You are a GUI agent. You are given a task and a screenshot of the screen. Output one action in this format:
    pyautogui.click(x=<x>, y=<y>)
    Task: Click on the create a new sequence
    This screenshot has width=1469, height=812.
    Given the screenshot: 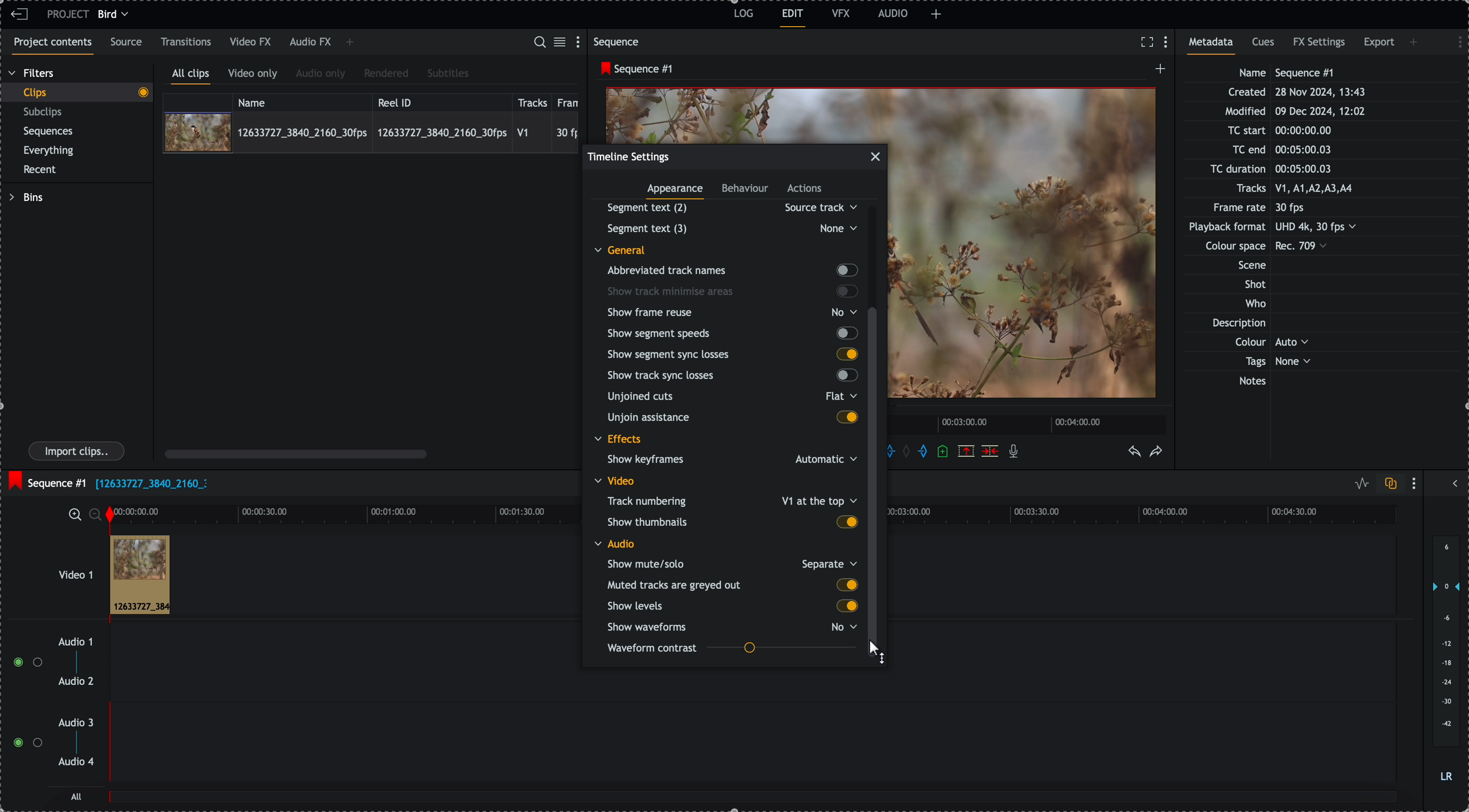 What is the action you would take?
    pyautogui.click(x=1158, y=72)
    